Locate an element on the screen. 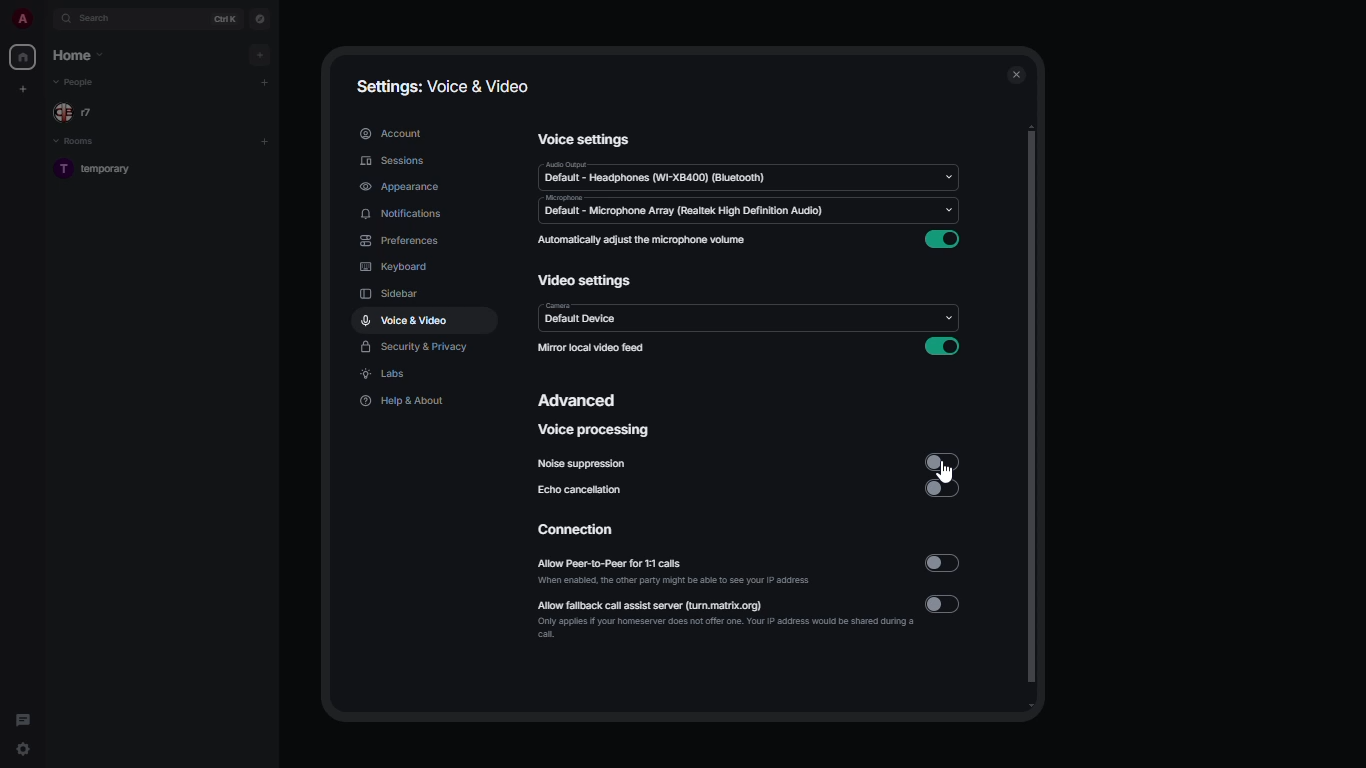  keyboard is located at coordinates (397, 267).